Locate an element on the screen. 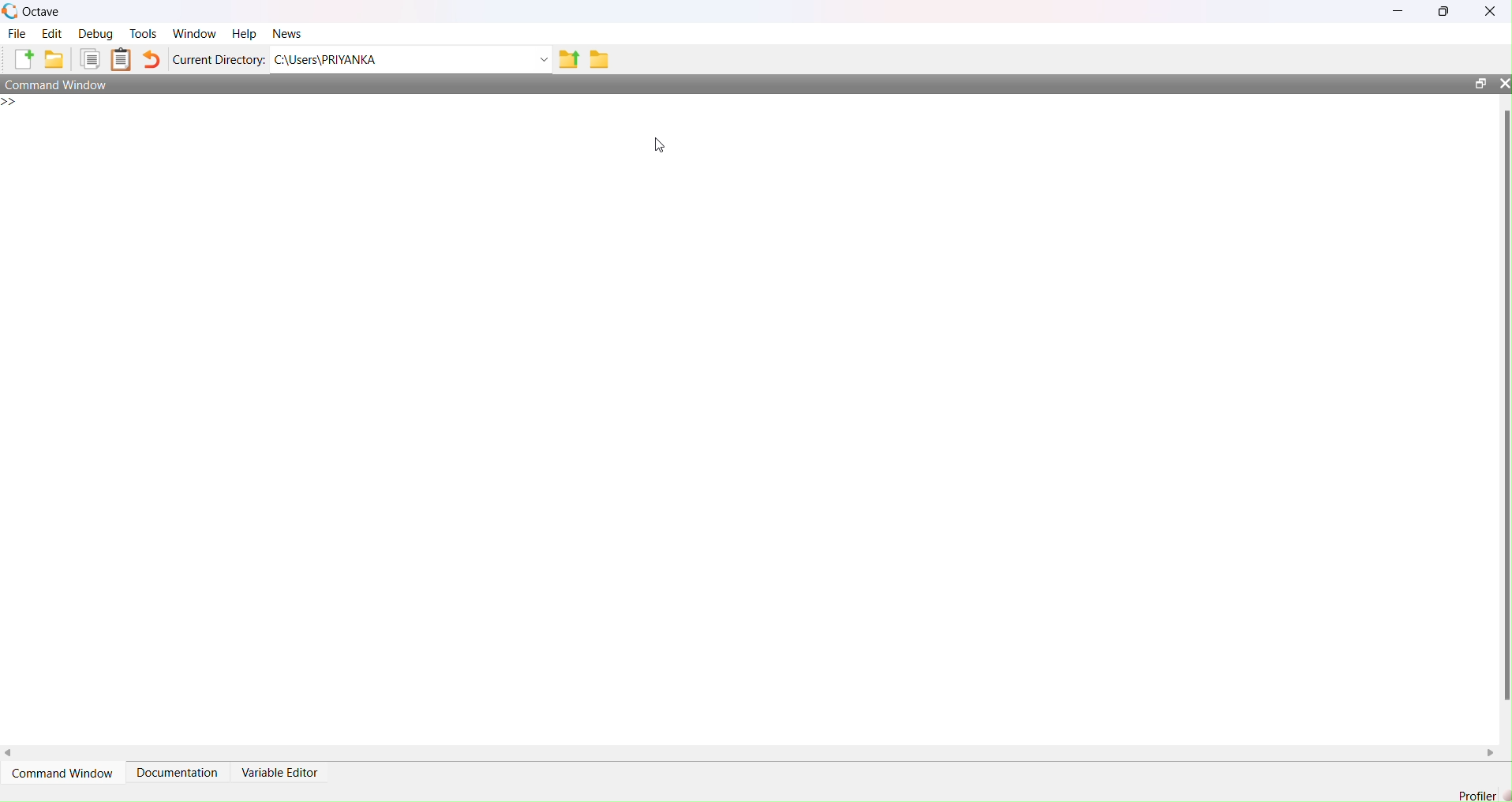 The width and height of the screenshot is (1512, 802). redo is located at coordinates (155, 59).